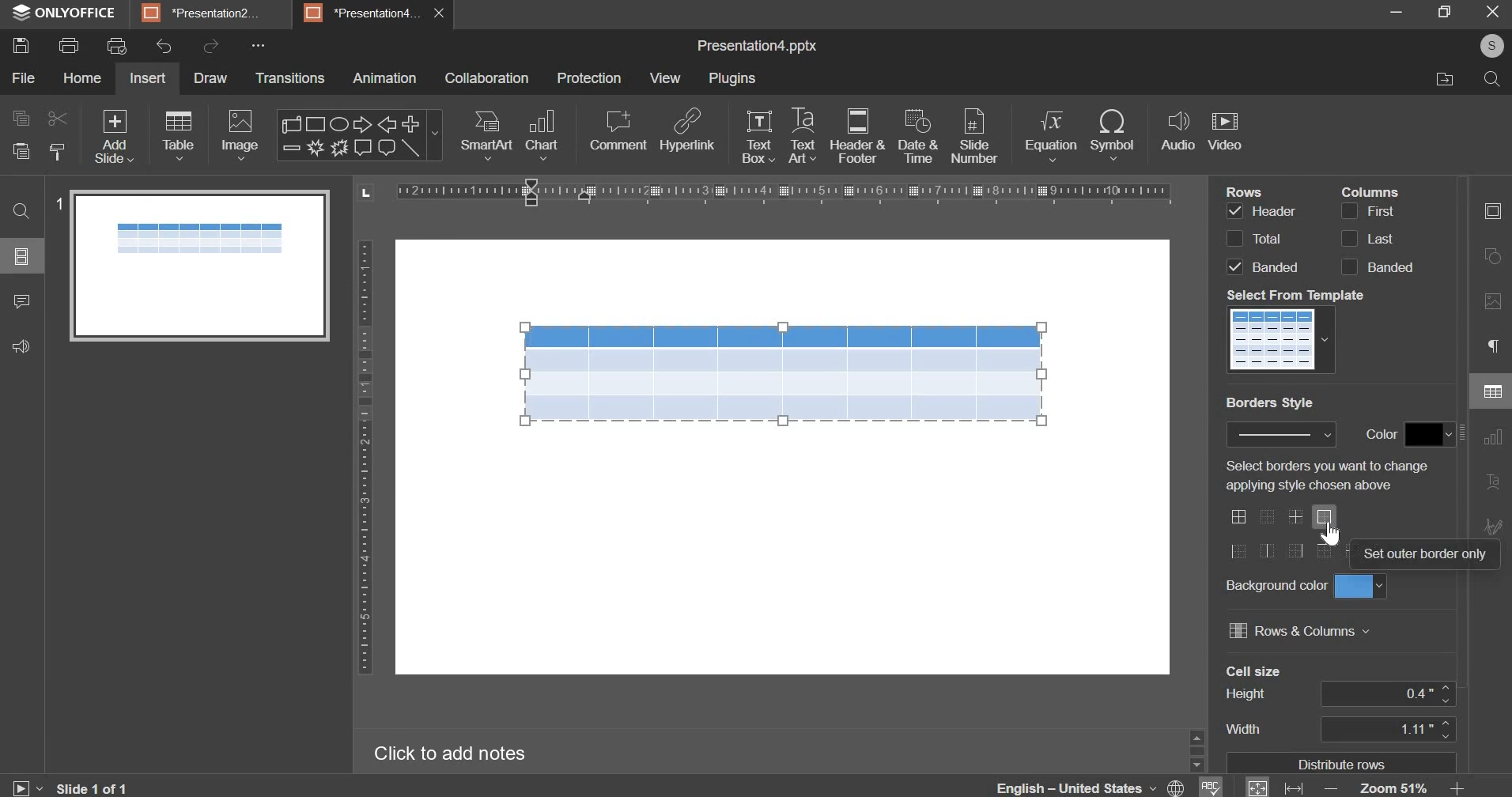  I want to click on draw, so click(210, 78).